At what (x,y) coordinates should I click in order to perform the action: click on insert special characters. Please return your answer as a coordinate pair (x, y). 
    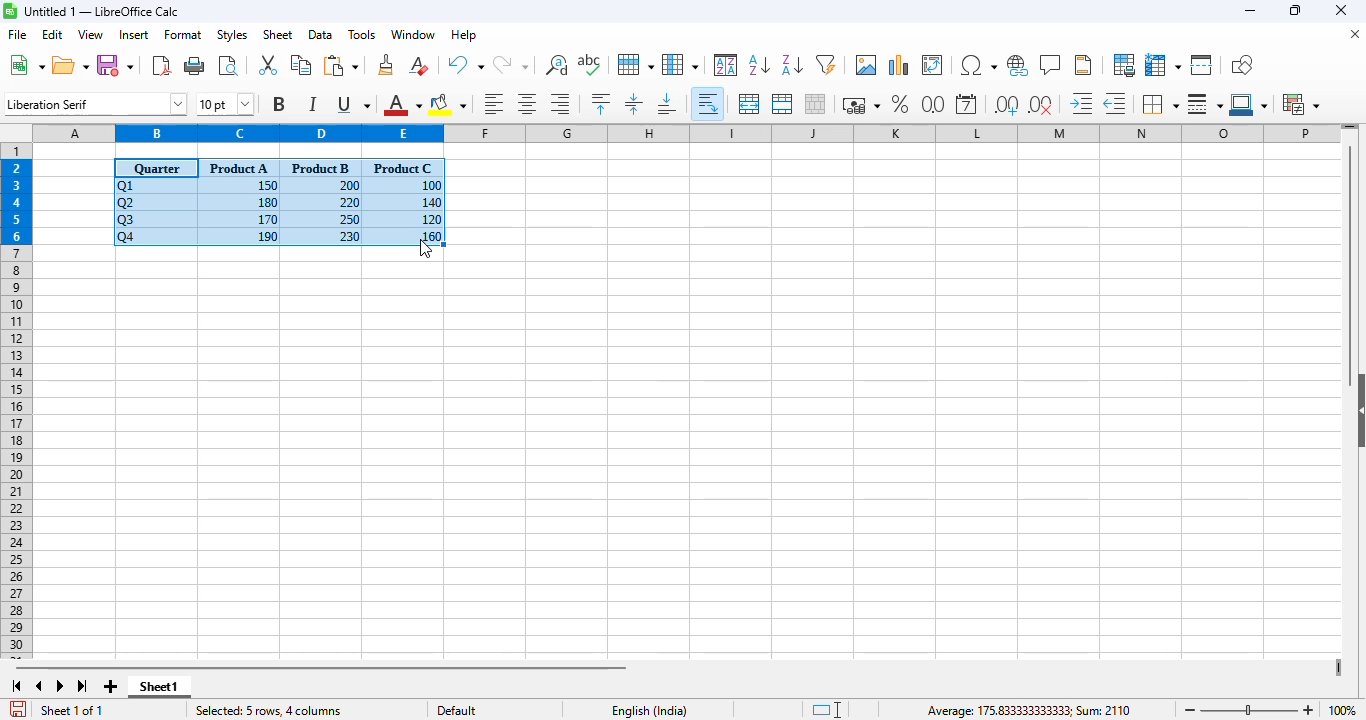
    Looking at the image, I should click on (978, 65).